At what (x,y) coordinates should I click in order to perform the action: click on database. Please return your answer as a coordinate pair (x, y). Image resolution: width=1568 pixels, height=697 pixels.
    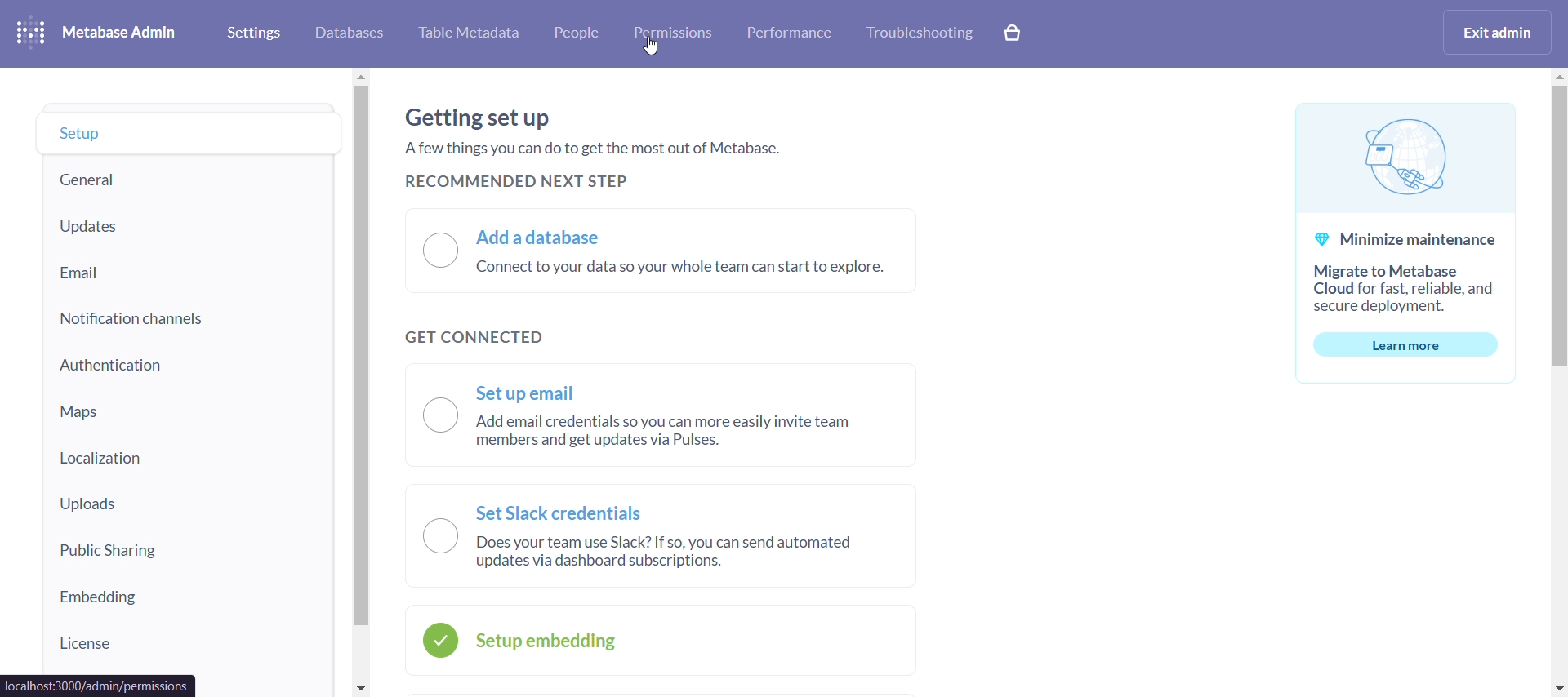
    Looking at the image, I should click on (350, 33).